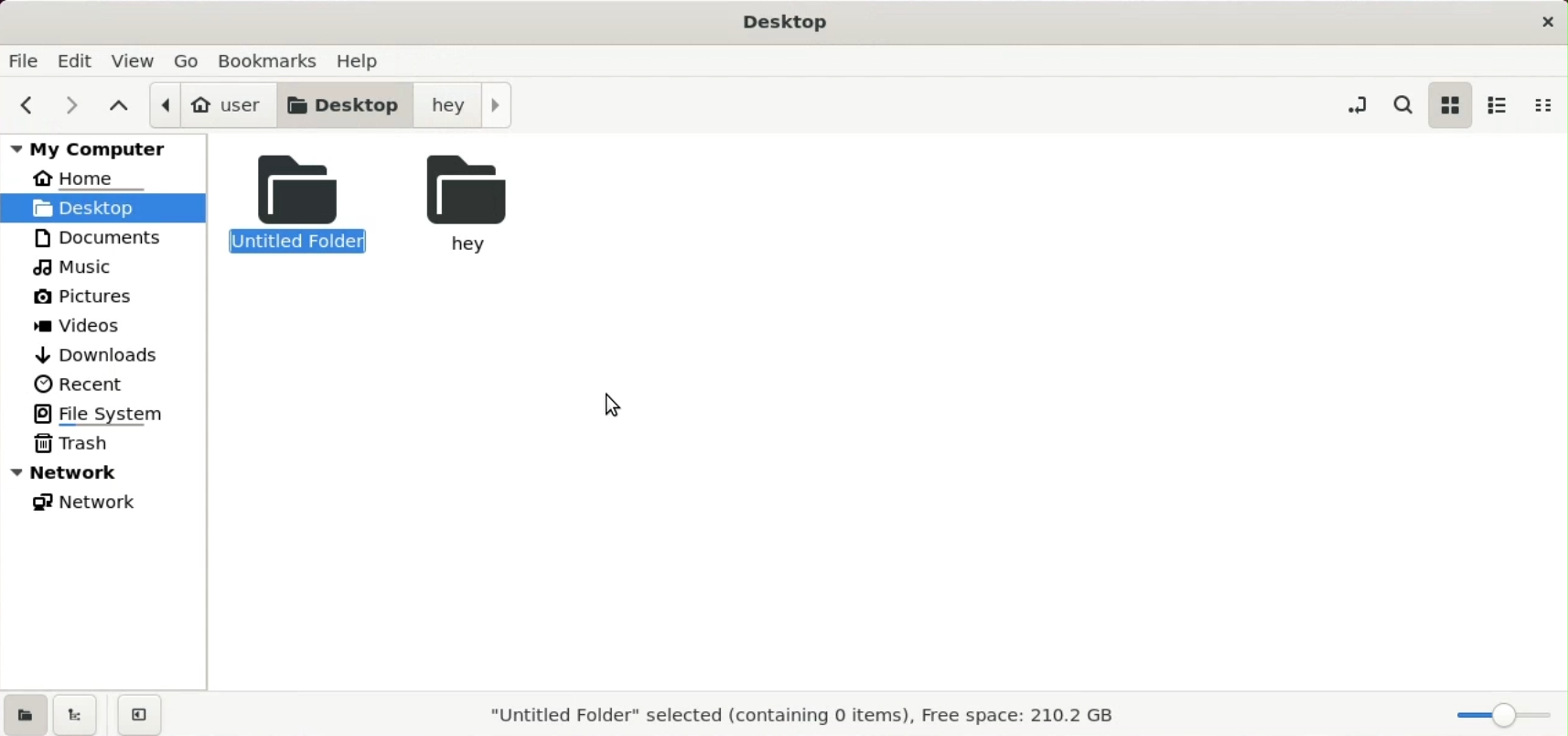 This screenshot has height=736, width=1568. I want to click on user, so click(217, 104).